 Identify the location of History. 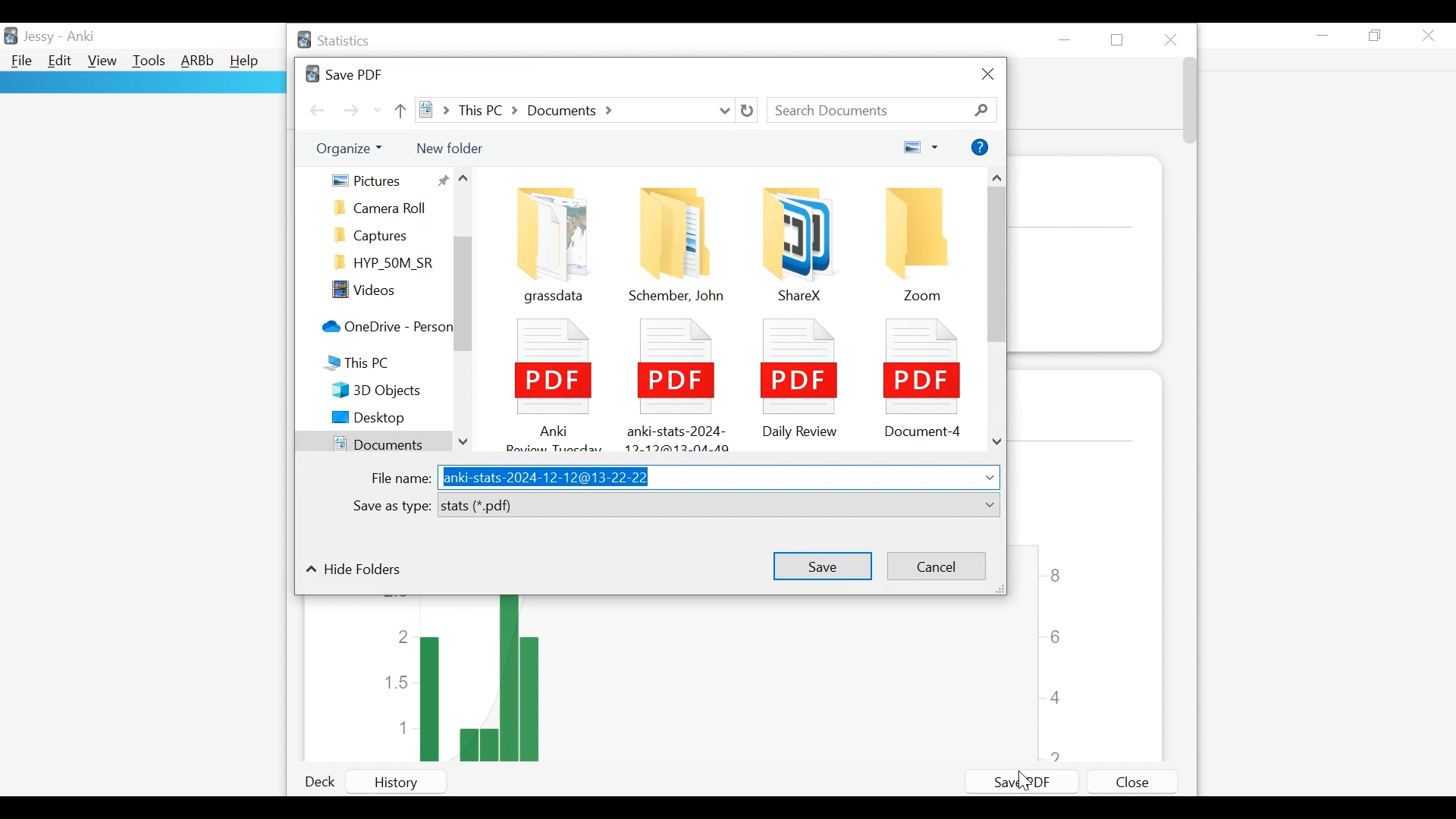
(411, 782).